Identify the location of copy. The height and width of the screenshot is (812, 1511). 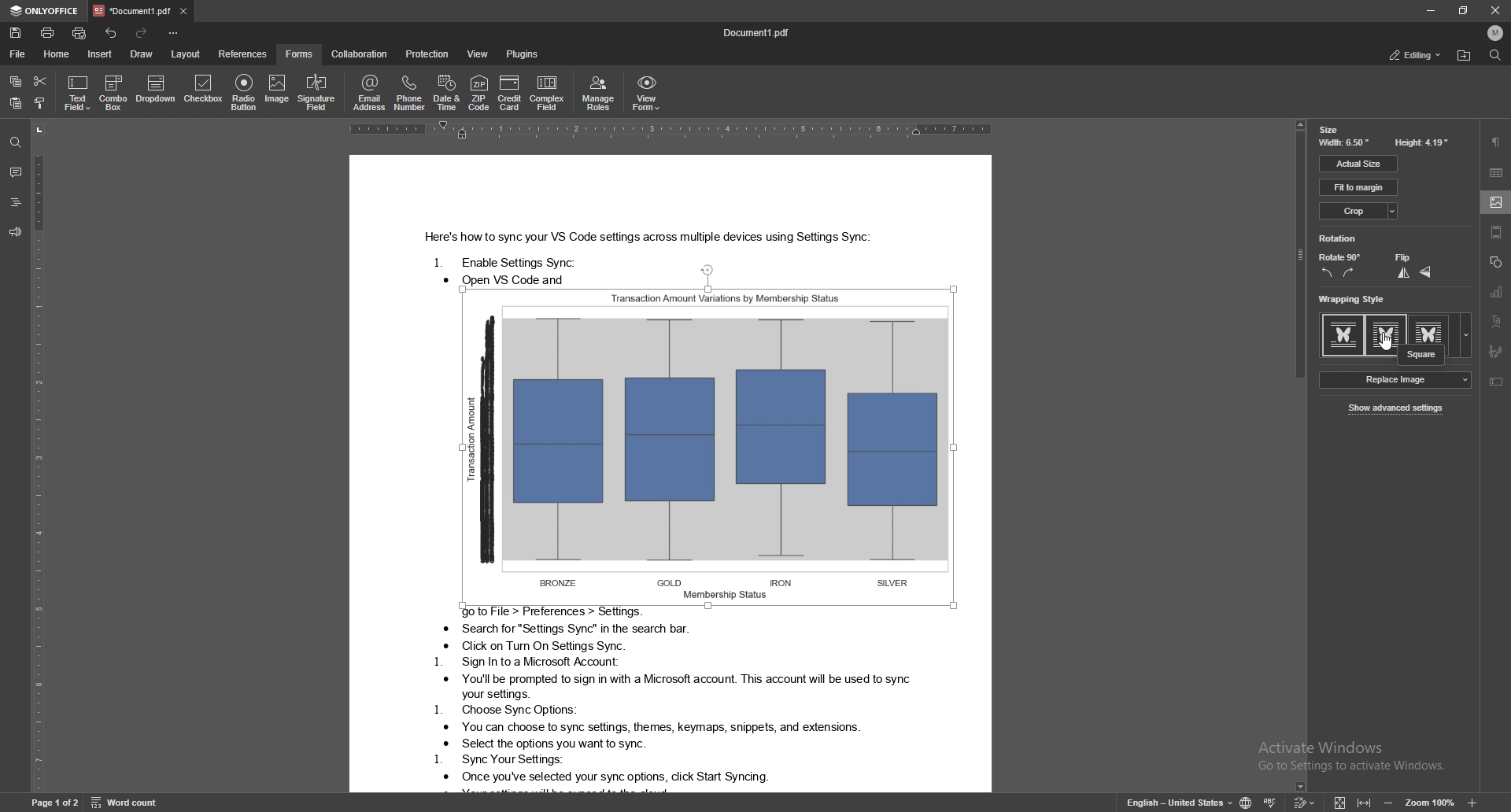
(17, 81).